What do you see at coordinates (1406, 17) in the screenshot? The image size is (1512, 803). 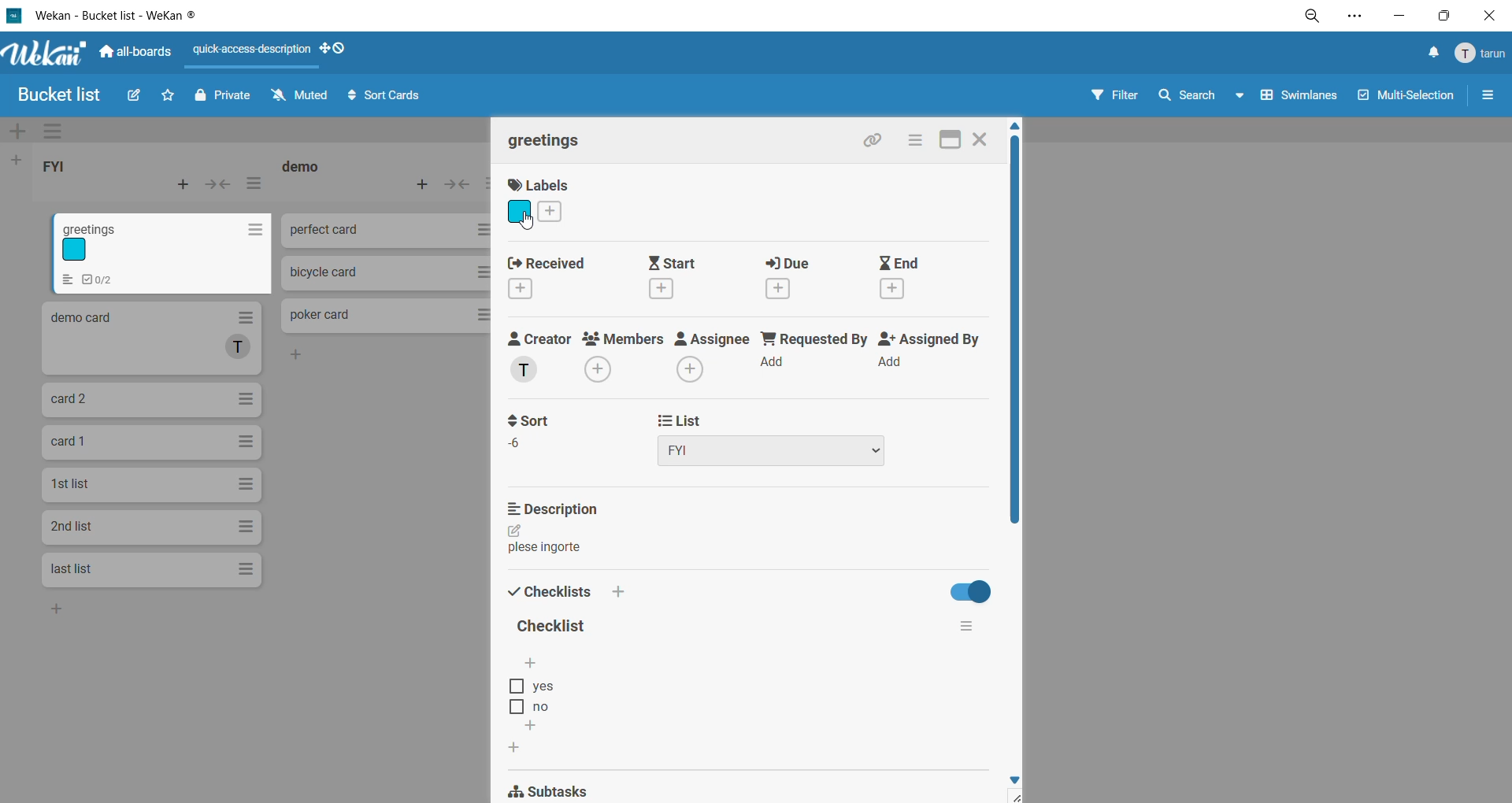 I see `minimize` at bounding box center [1406, 17].